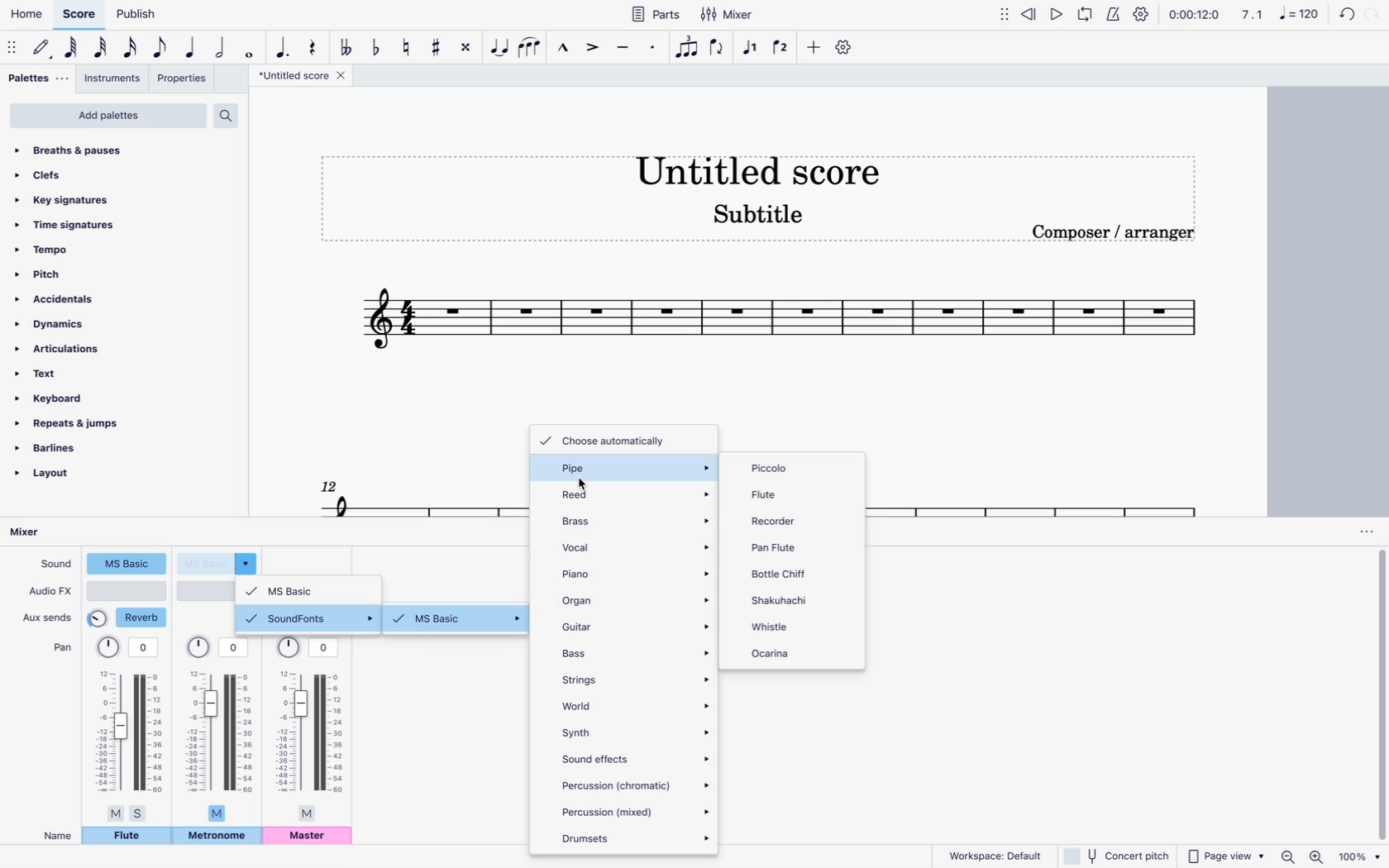 This screenshot has width=1389, height=868. Describe the element at coordinates (634, 546) in the screenshot. I see `vocal` at that location.